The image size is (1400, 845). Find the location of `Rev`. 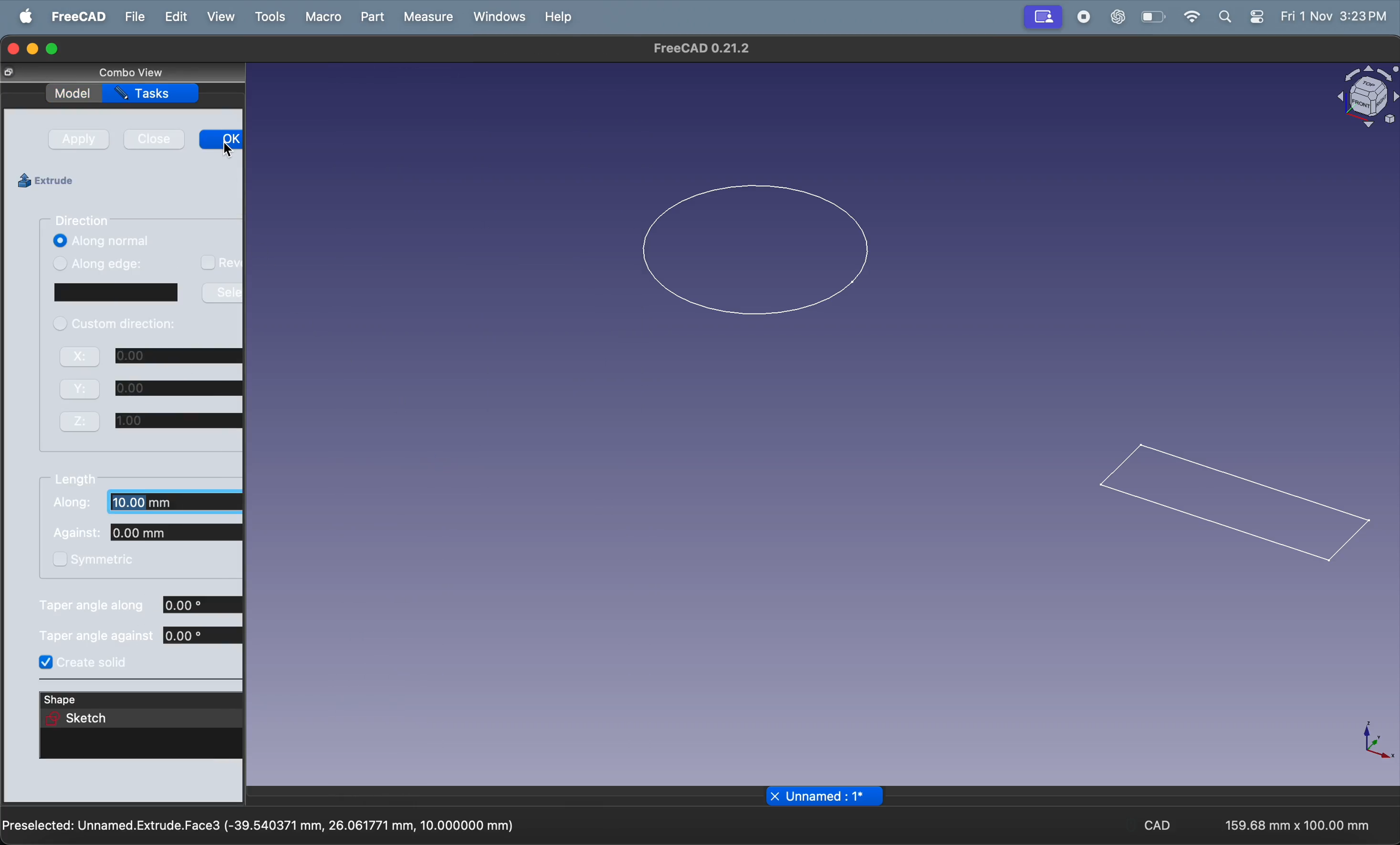

Rev is located at coordinates (219, 263).